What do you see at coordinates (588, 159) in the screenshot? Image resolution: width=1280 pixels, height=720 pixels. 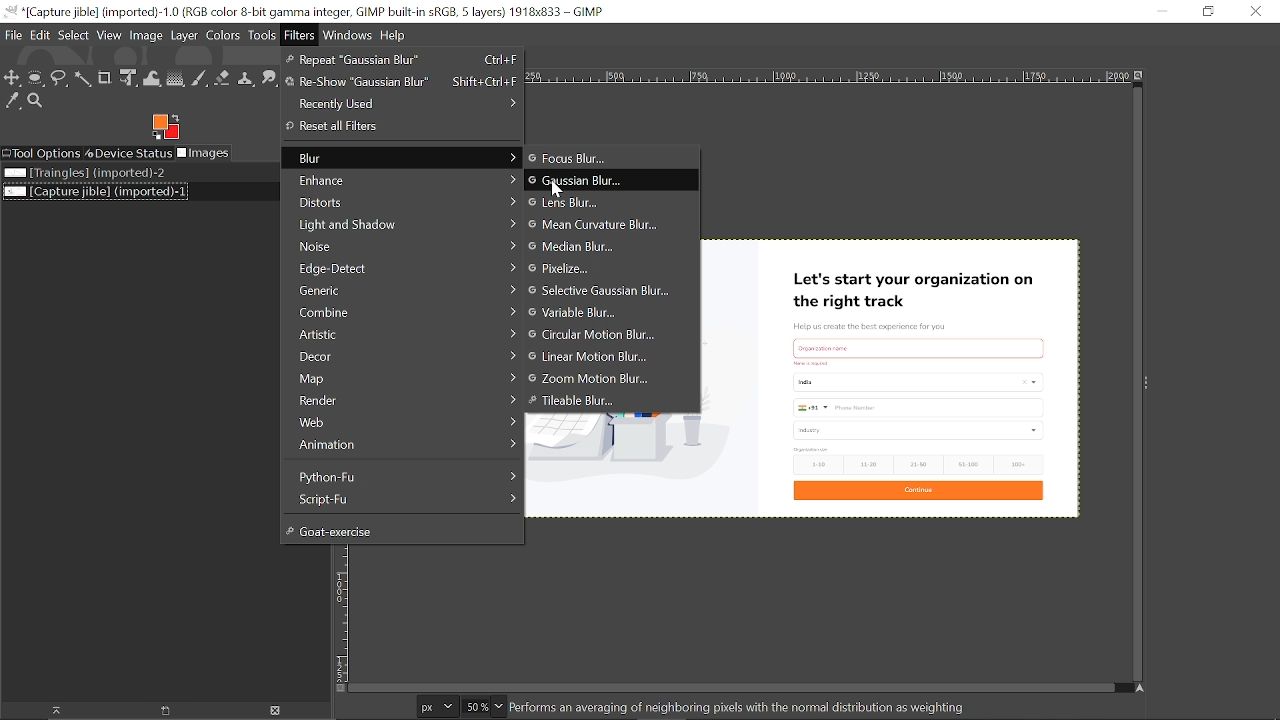 I see `Focus Blur` at bounding box center [588, 159].